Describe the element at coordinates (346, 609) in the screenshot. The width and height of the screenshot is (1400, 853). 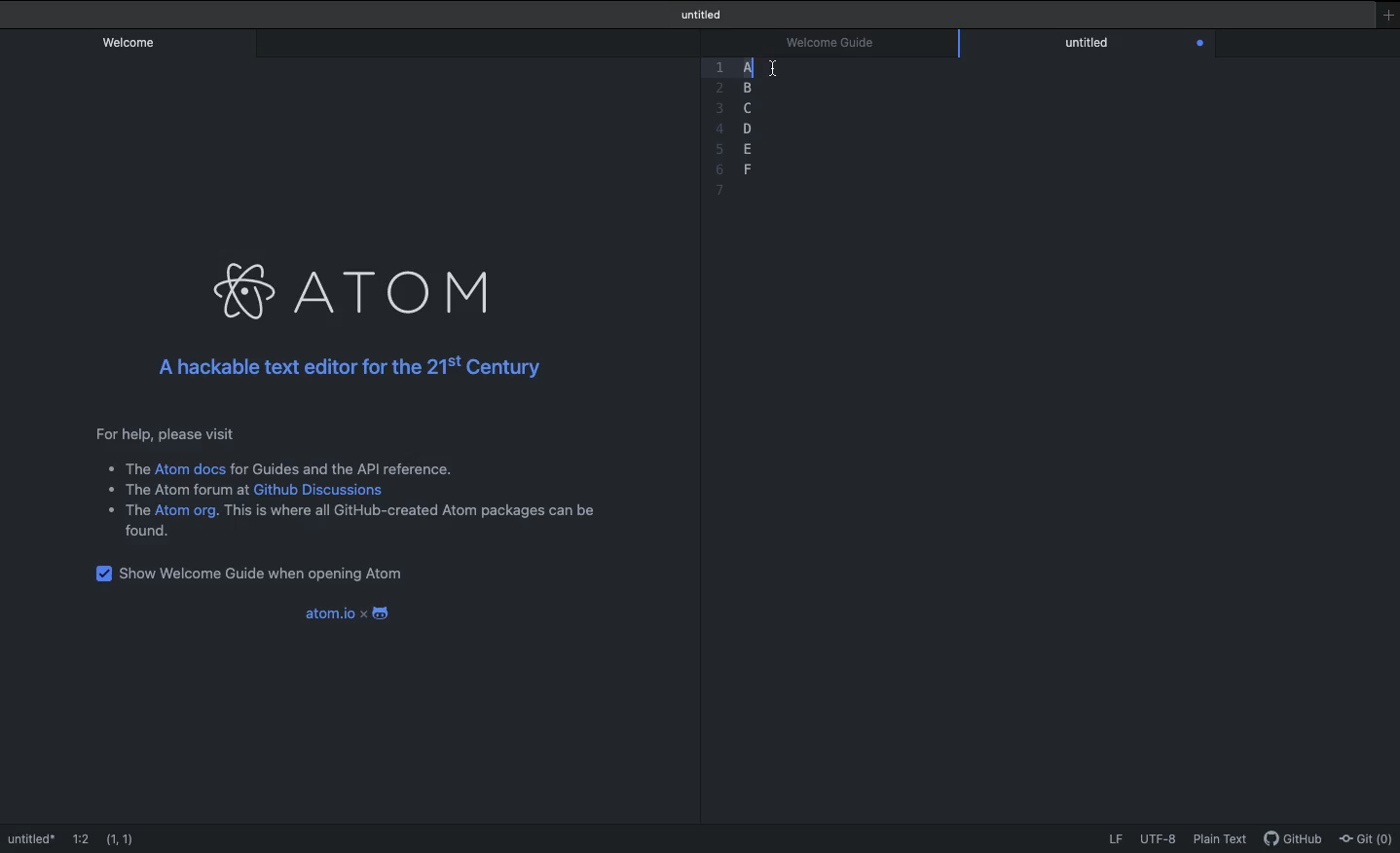
I see `Atom.io x android ` at that location.